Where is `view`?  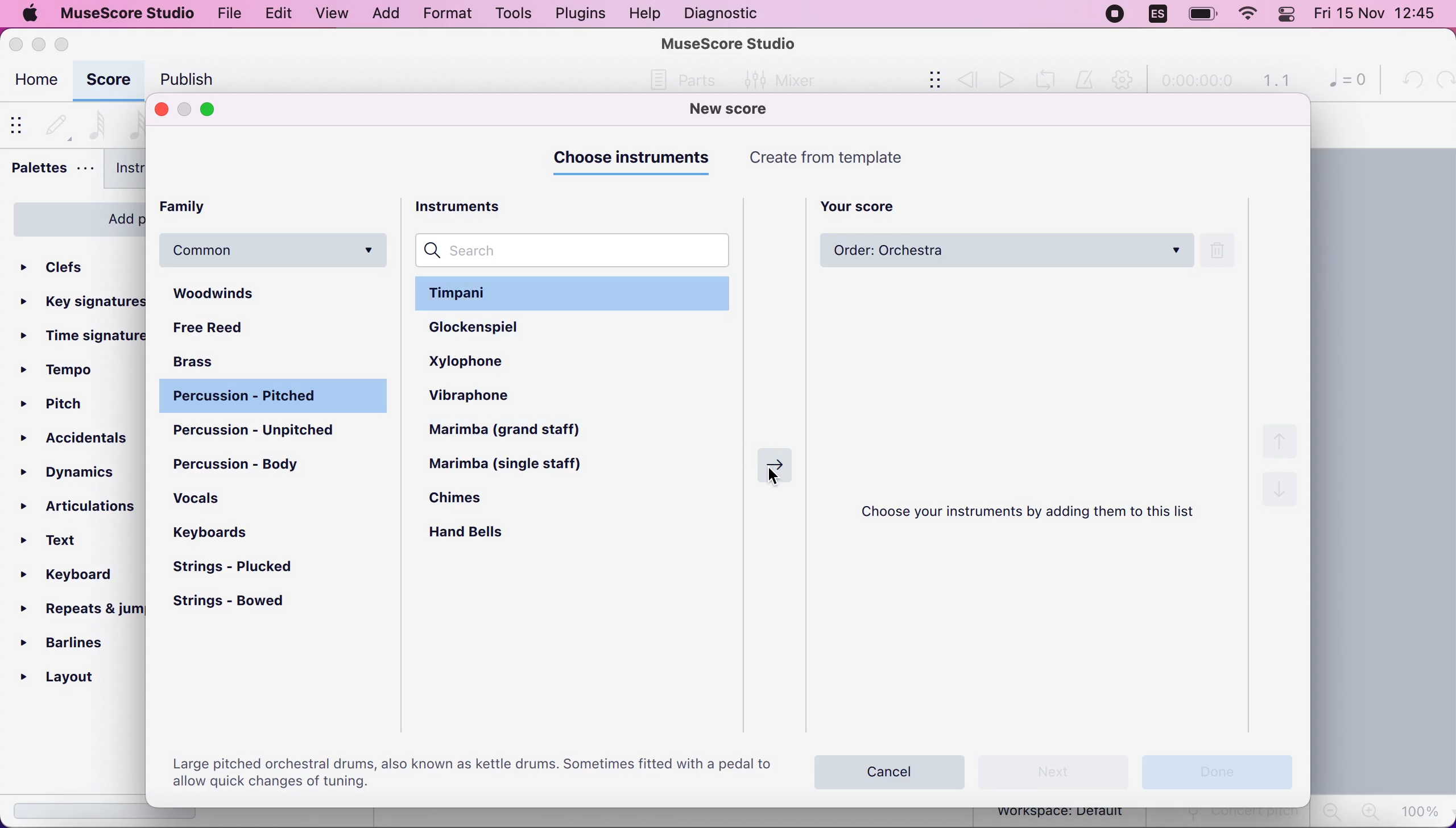
view is located at coordinates (331, 14).